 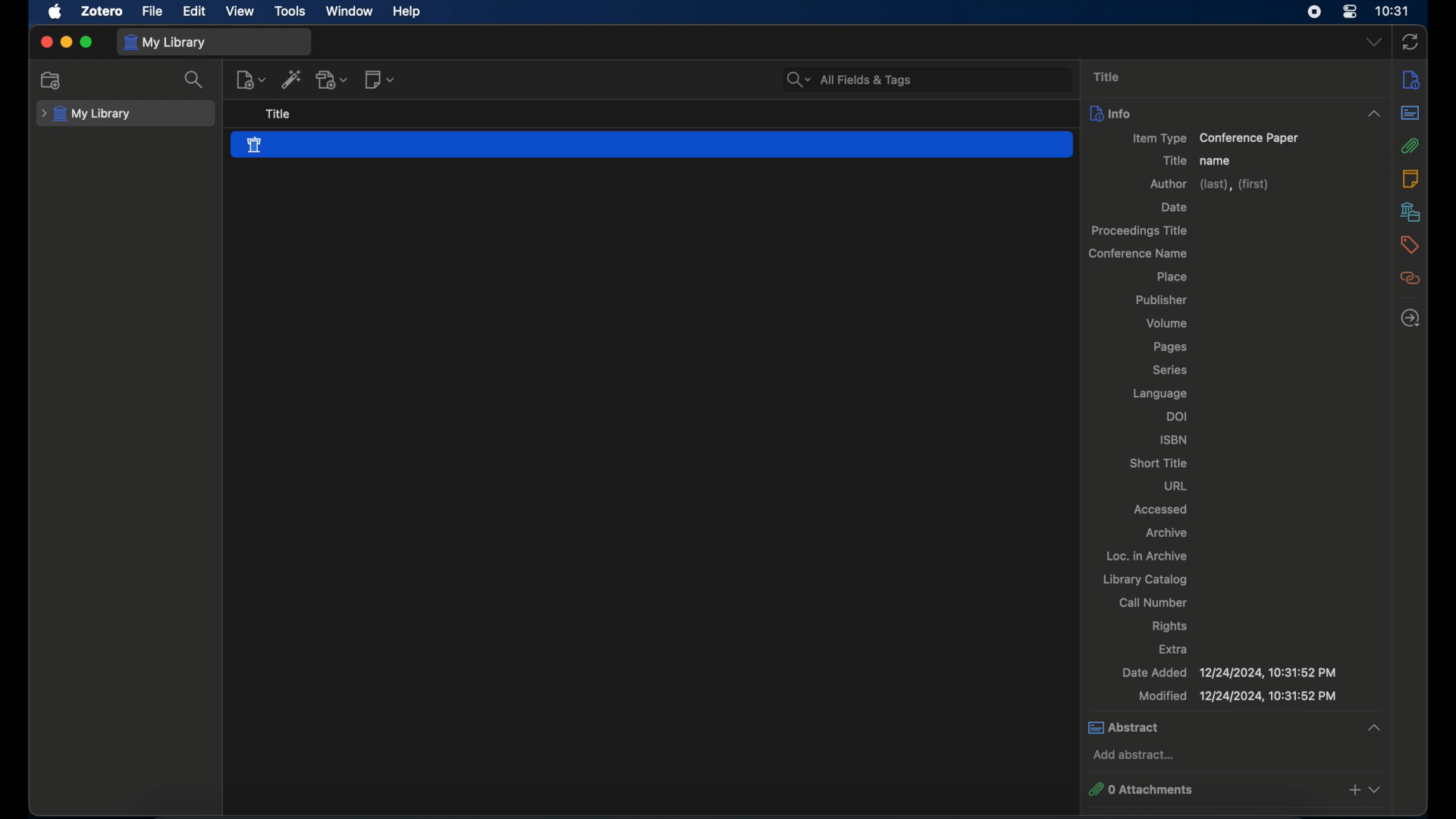 I want to click on help, so click(x=406, y=12).